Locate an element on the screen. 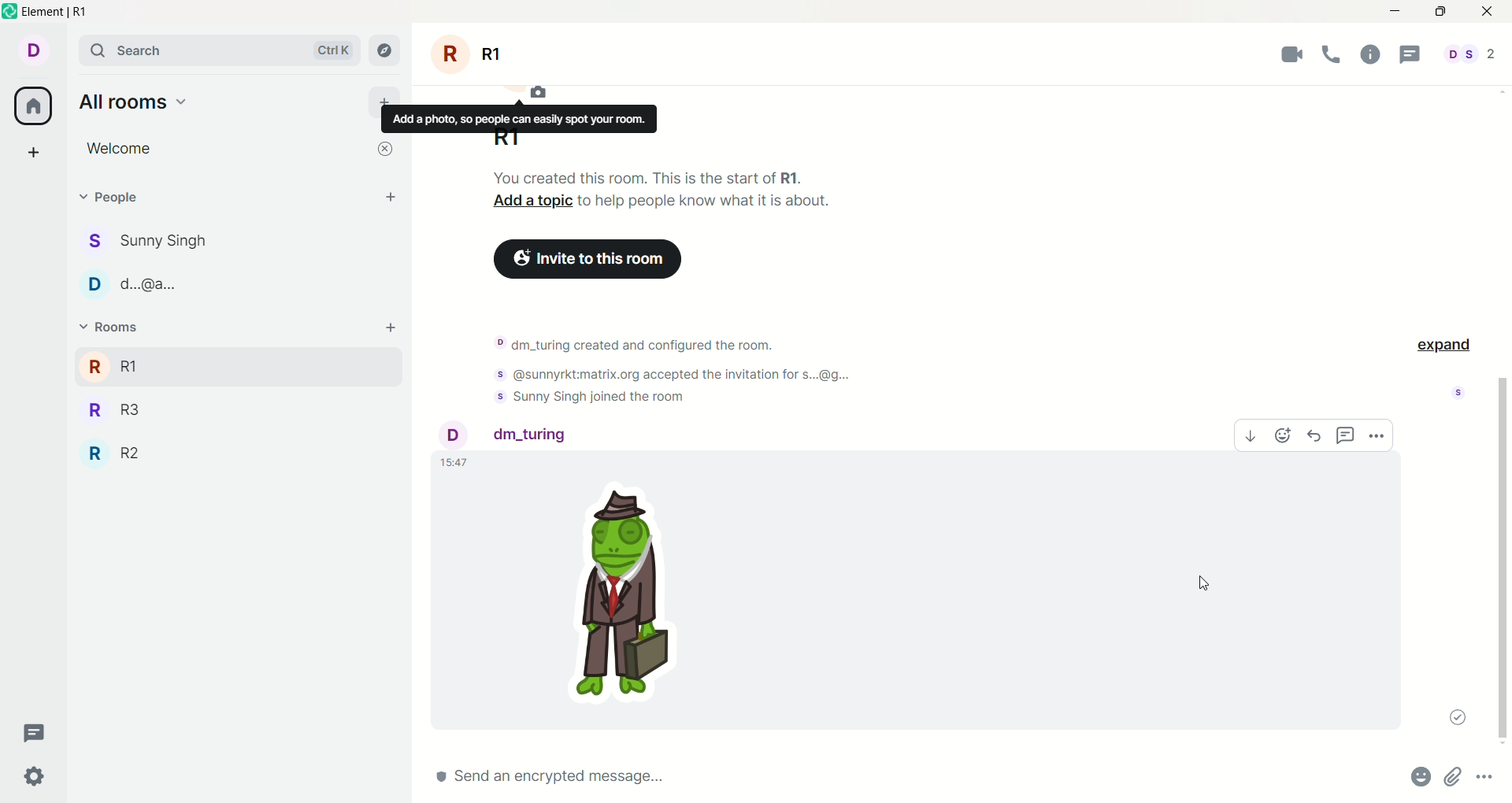  close is located at coordinates (1488, 12).